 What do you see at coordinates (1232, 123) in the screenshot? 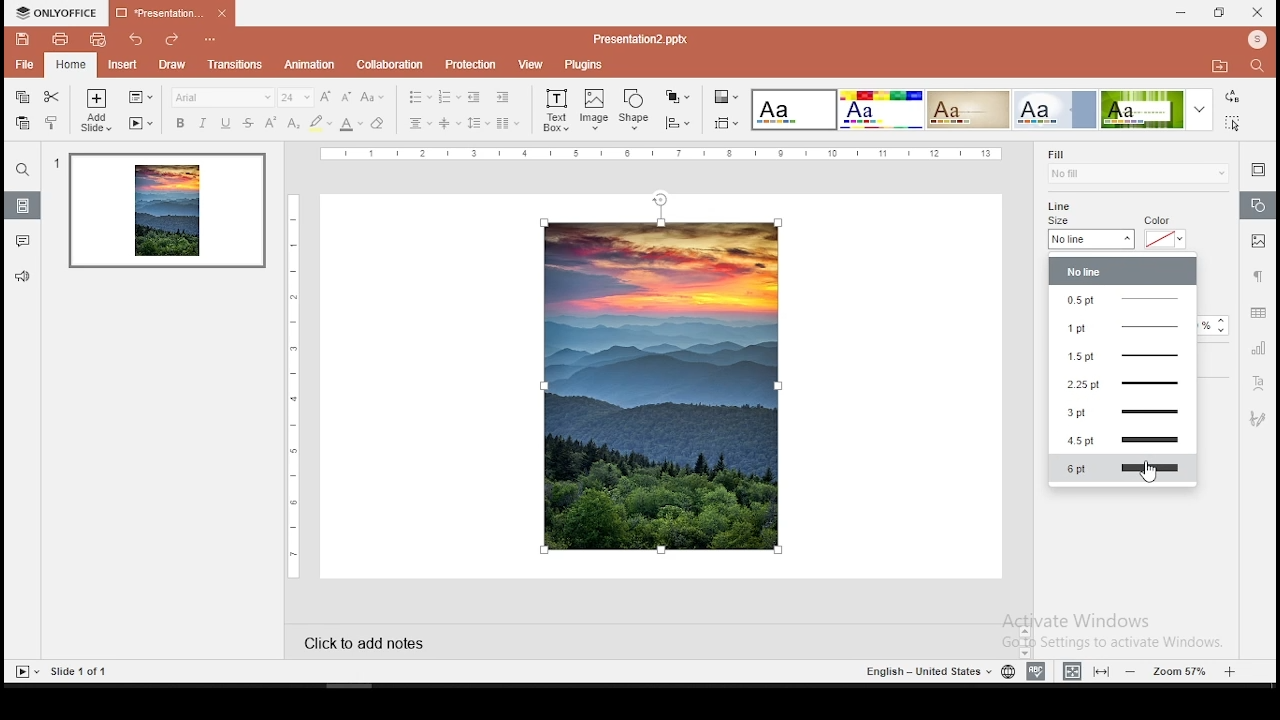
I see `select all` at bounding box center [1232, 123].